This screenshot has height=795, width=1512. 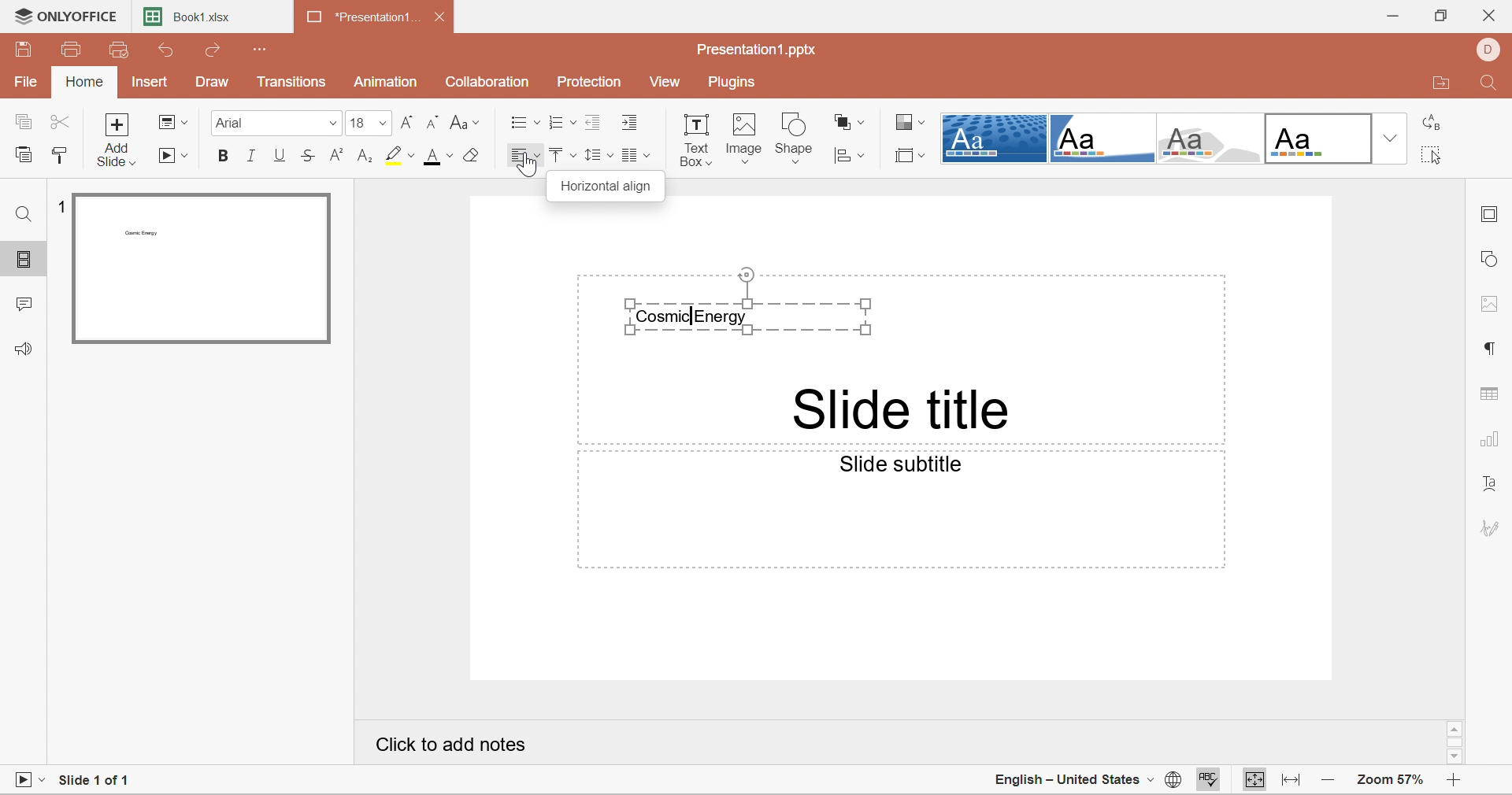 What do you see at coordinates (1106, 140) in the screenshot?
I see `Corner` at bounding box center [1106, 140].